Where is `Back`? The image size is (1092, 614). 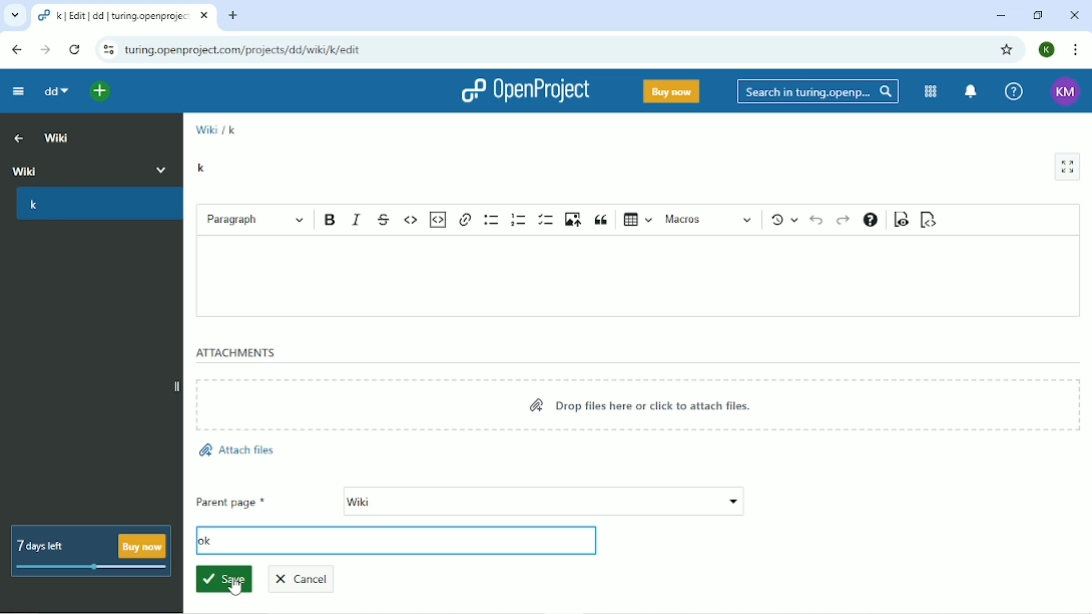 Back is located at coordinates (15, 48).